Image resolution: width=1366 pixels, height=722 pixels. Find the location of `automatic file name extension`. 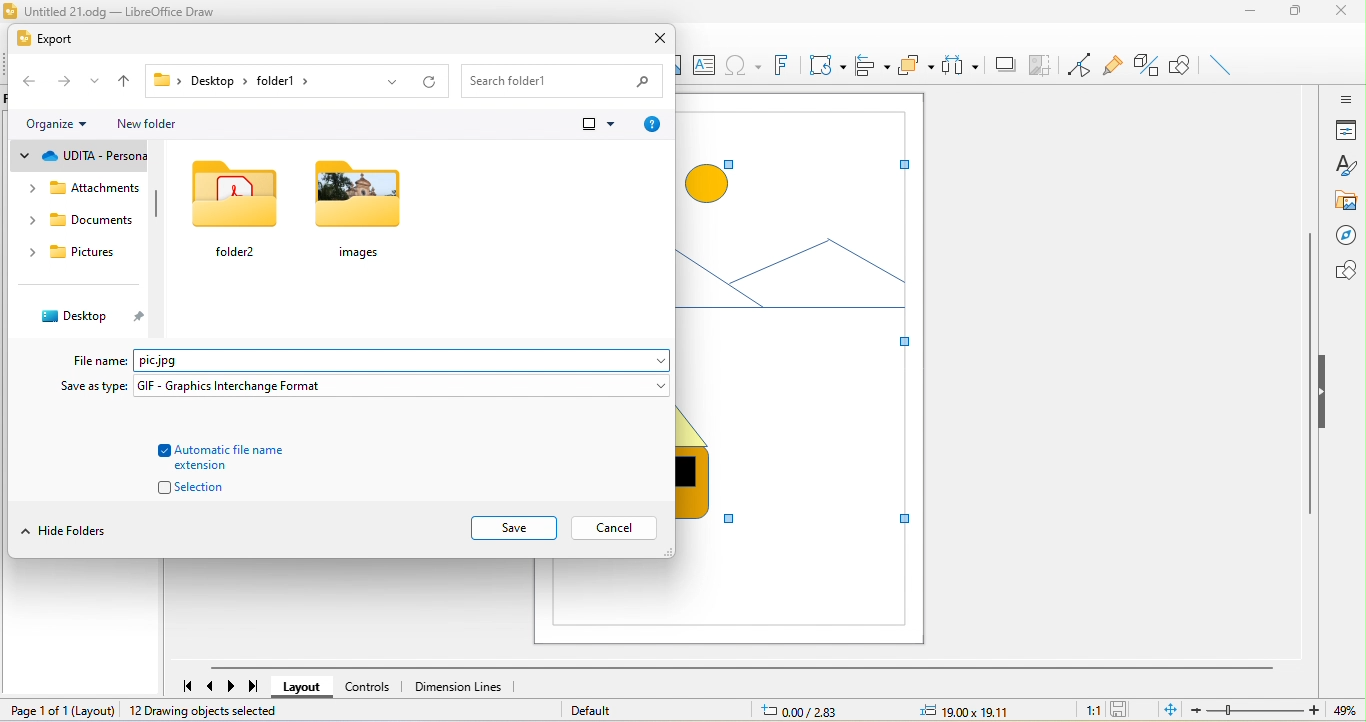

automatic file name extension is located at coordinates (232, 457).